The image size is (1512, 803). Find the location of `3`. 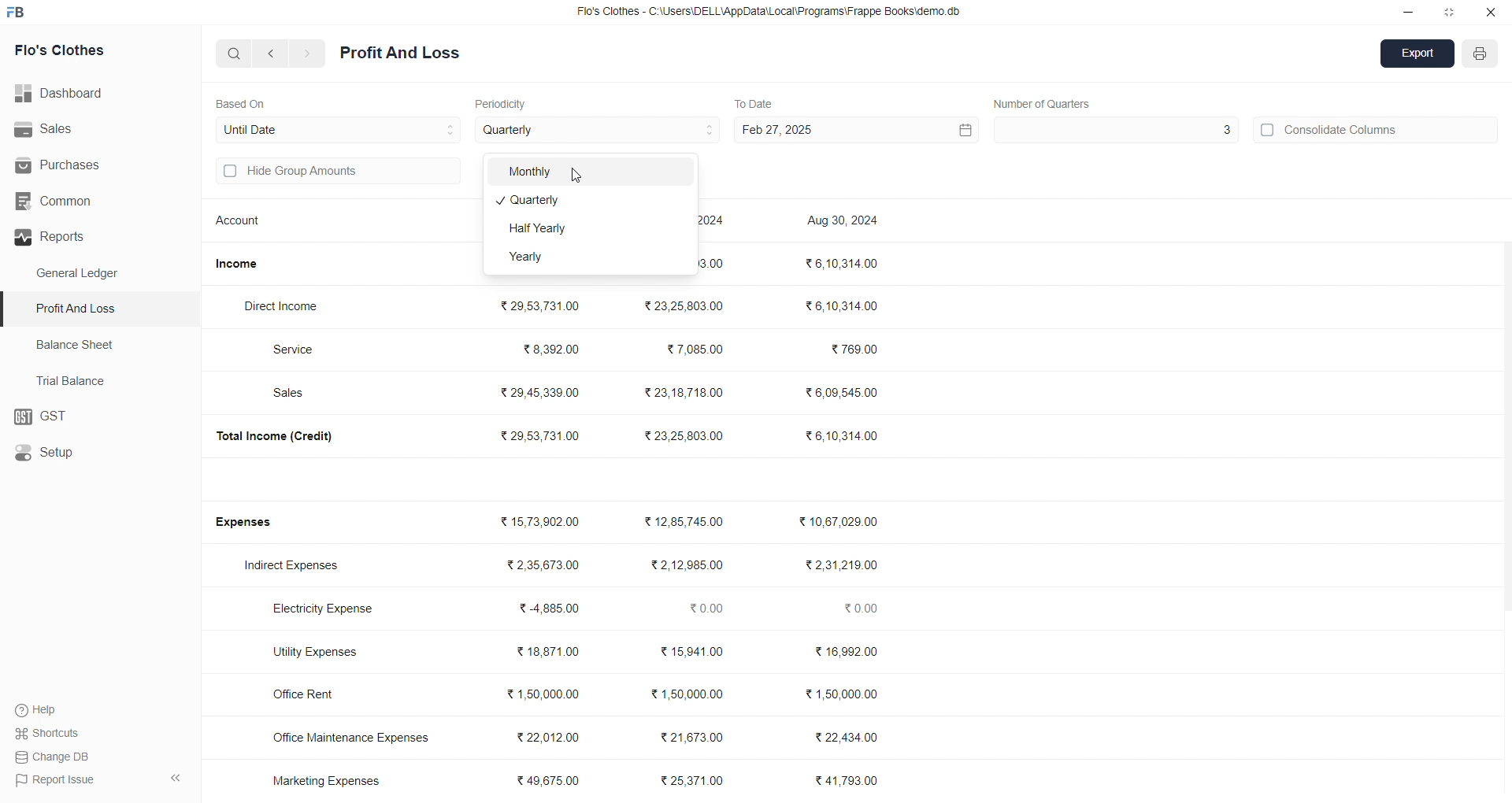

3 is located at coordinates (1114, 130).